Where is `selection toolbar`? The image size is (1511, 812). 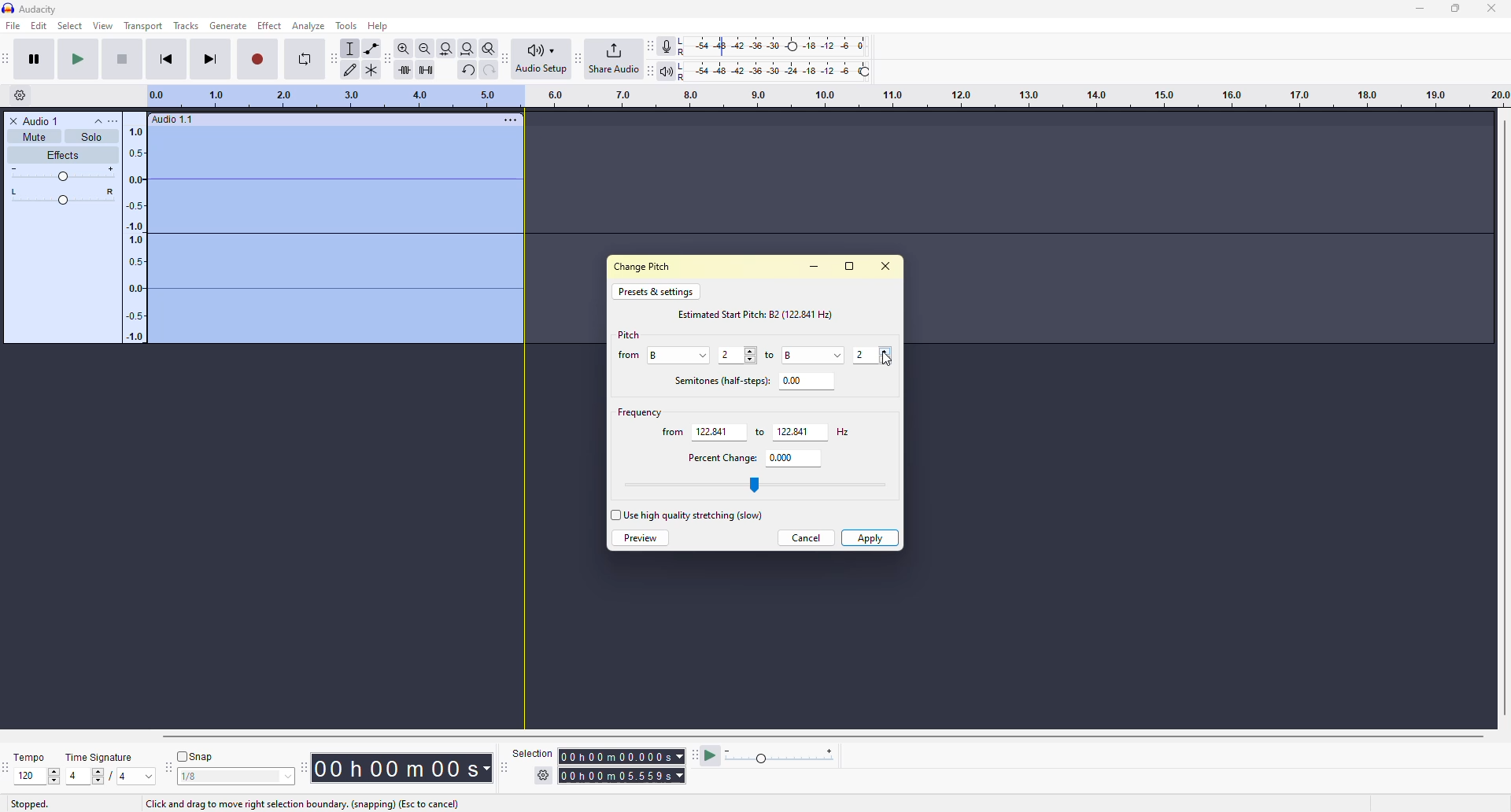 selection toolbar is located at coordinates (501, 768).